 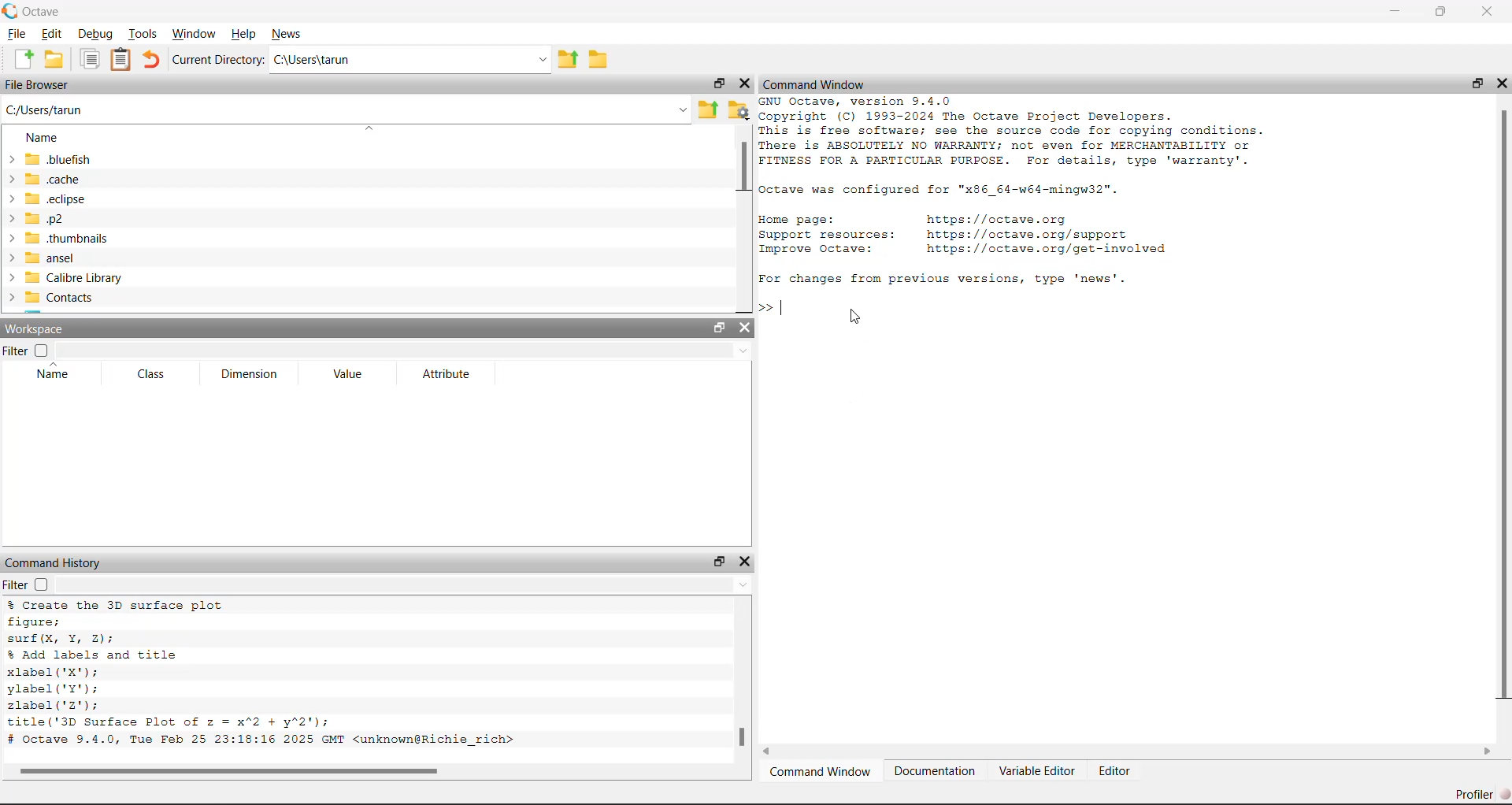 I want to click on For changes from previous versions, type 'news'., so click(x=944, y=277).